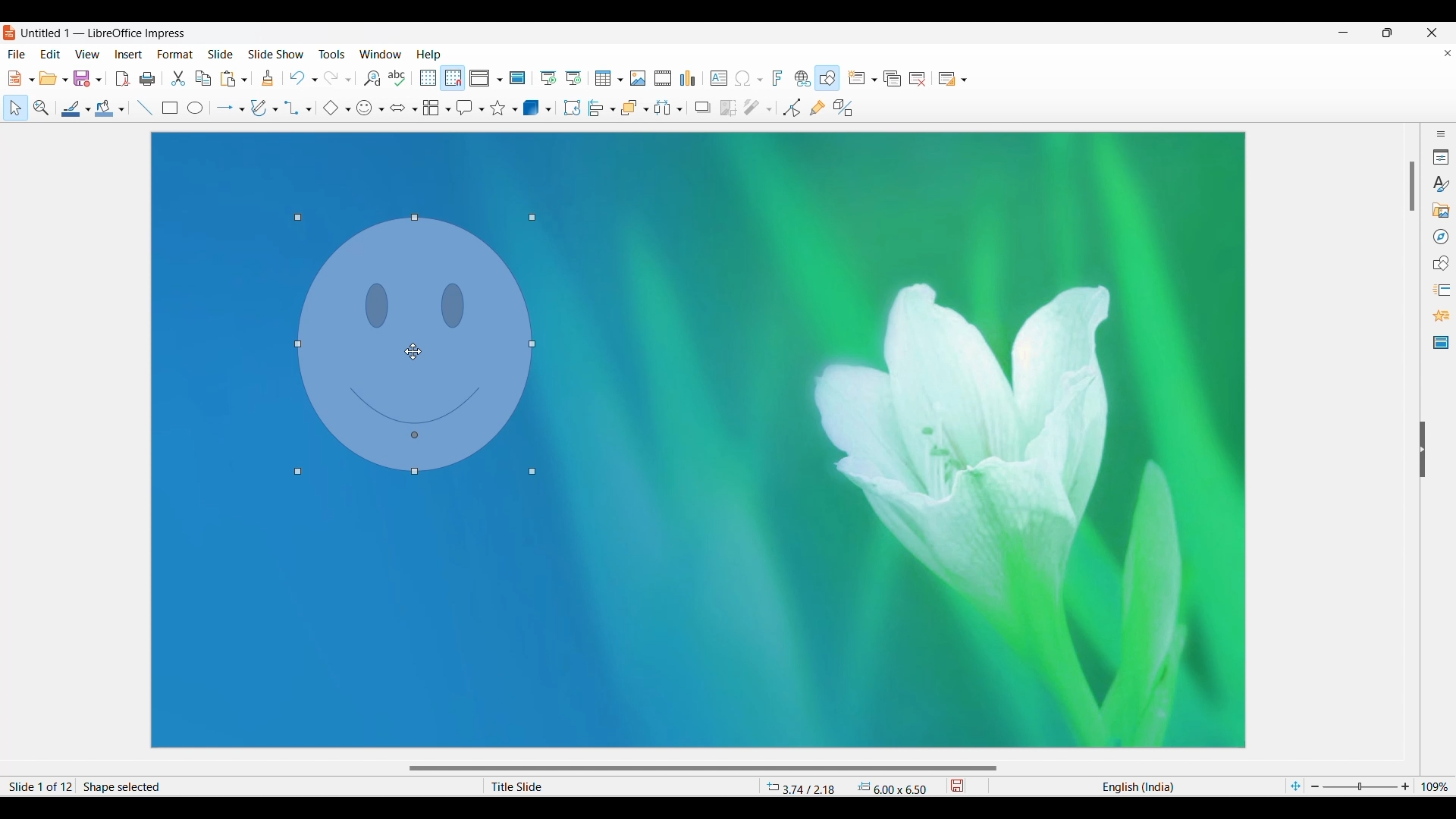 Image resolution: width=1456 pixels, height=819 pixels. Describe the element at coordinates (332, 78) in the screenshot. I see `Redo` at that location.